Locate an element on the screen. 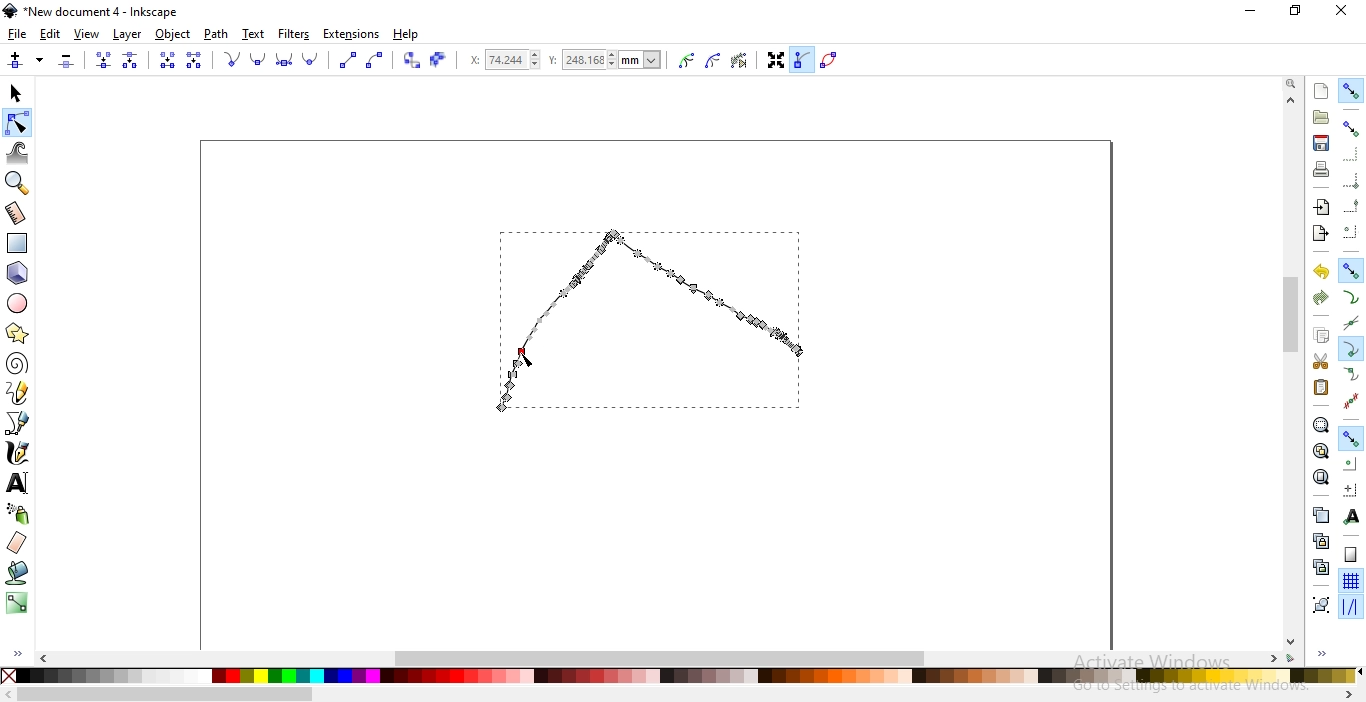 Image resolution: width=1366 pixels, height=702 pixels. make selected segments lines is located at coordinates (346, 60).